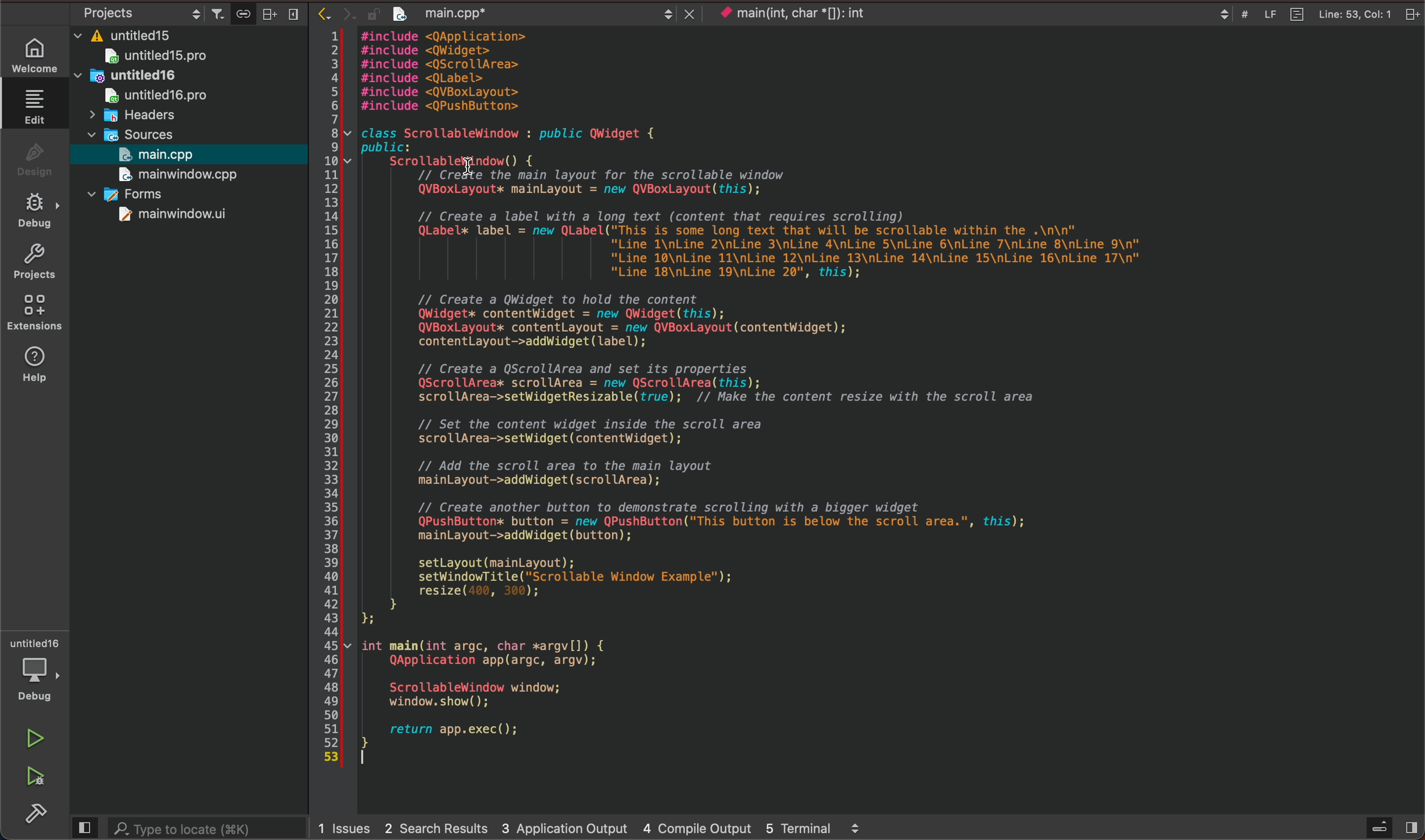 The image size is (1425, 840). Describe the element at coordinates (32, 160) in the screenshot. I see `design` at that location.